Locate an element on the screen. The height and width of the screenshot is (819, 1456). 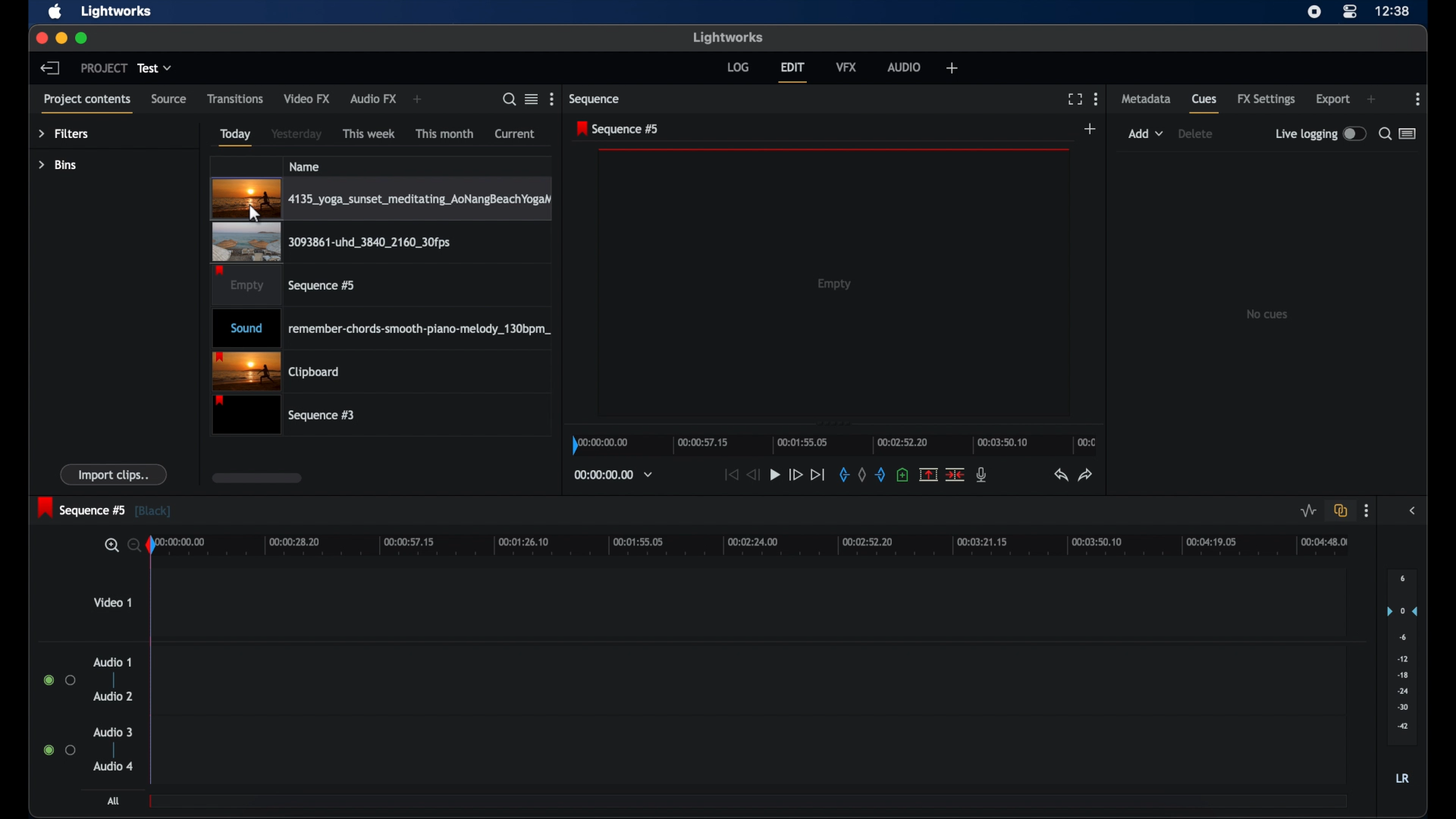
audio clip is located at coordinates (381, 328).